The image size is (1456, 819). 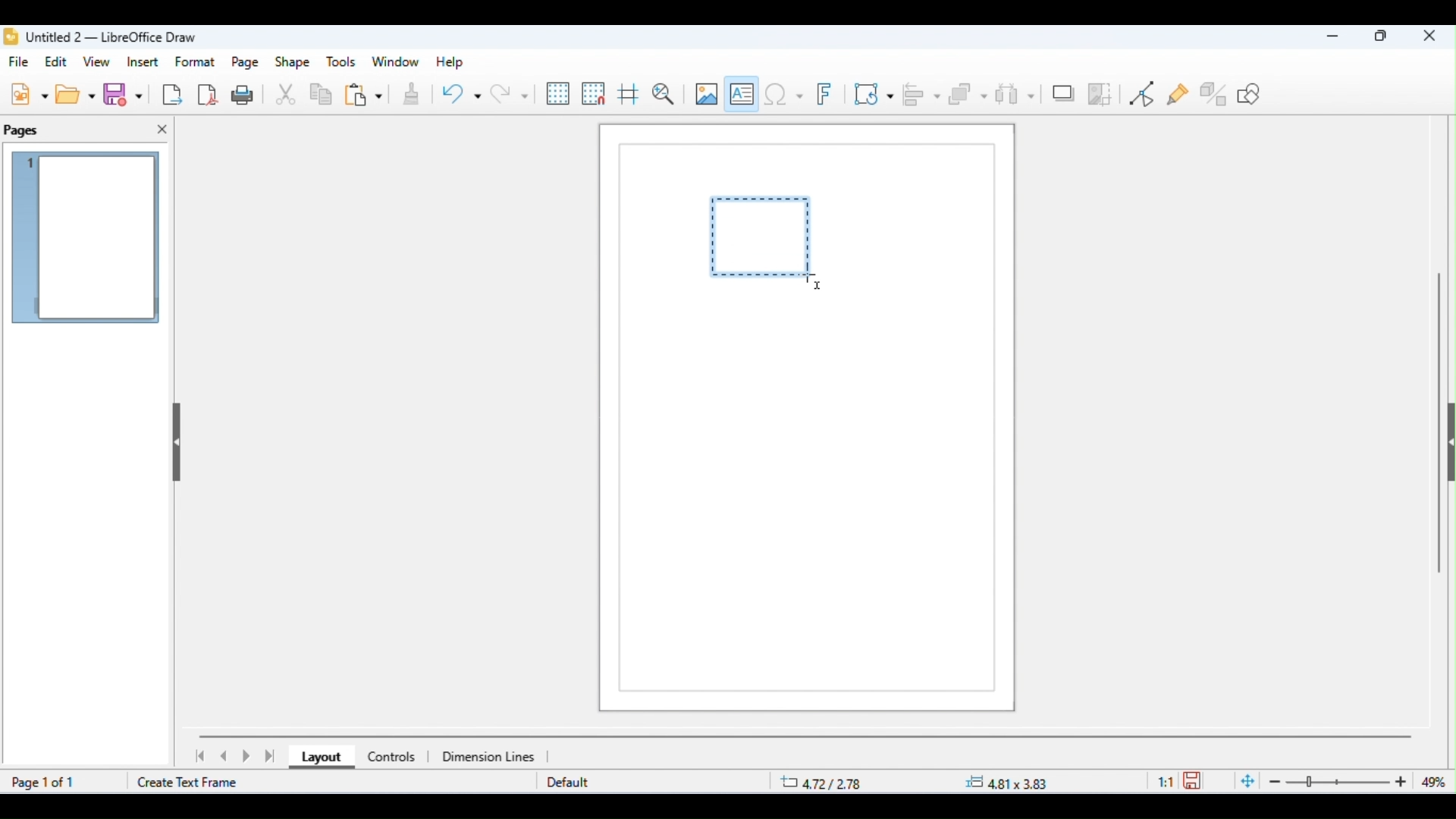 I want to click on view, so click(x=99, y=63).